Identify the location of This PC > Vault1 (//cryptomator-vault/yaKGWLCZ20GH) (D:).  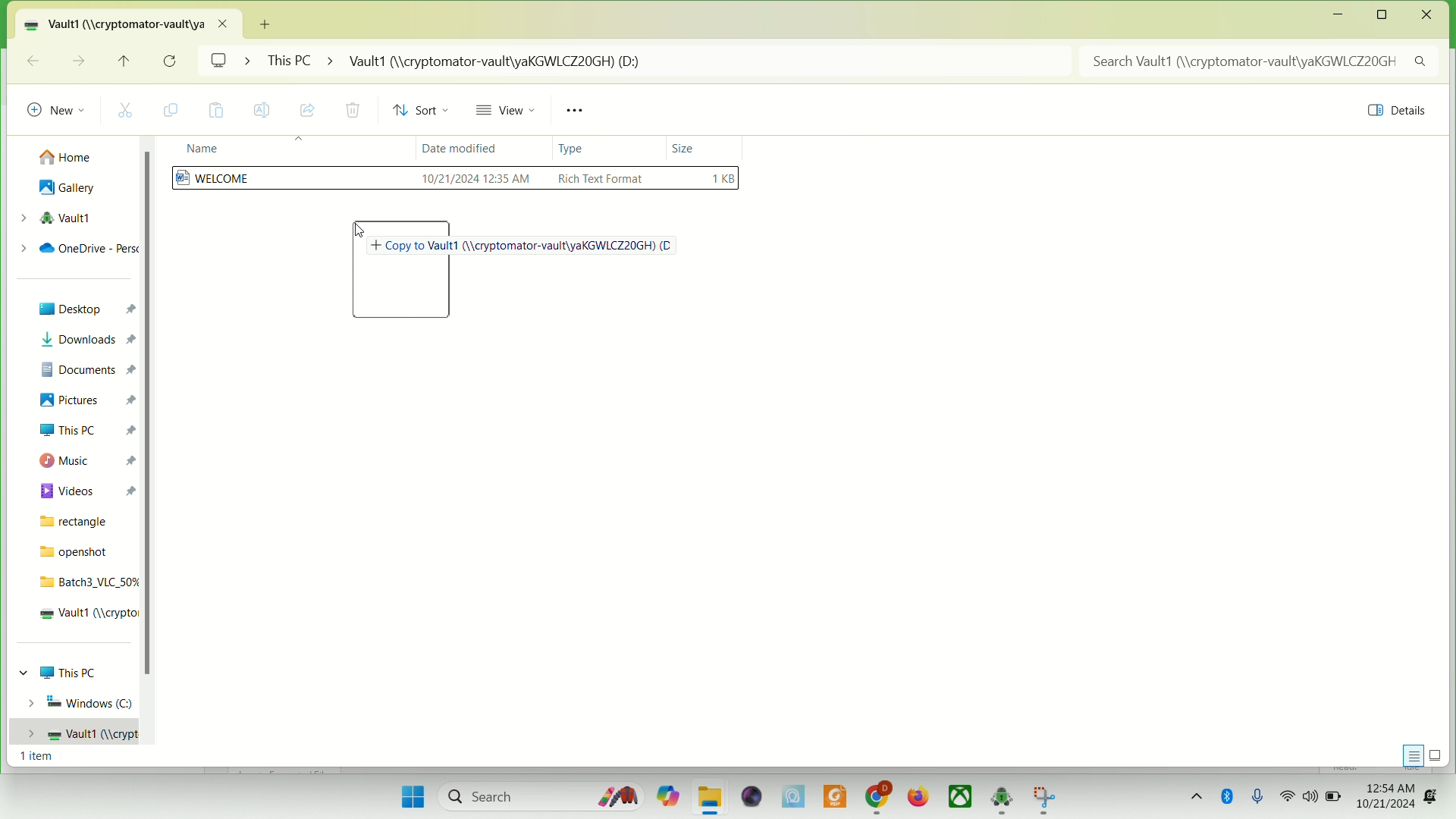
(668, 63).